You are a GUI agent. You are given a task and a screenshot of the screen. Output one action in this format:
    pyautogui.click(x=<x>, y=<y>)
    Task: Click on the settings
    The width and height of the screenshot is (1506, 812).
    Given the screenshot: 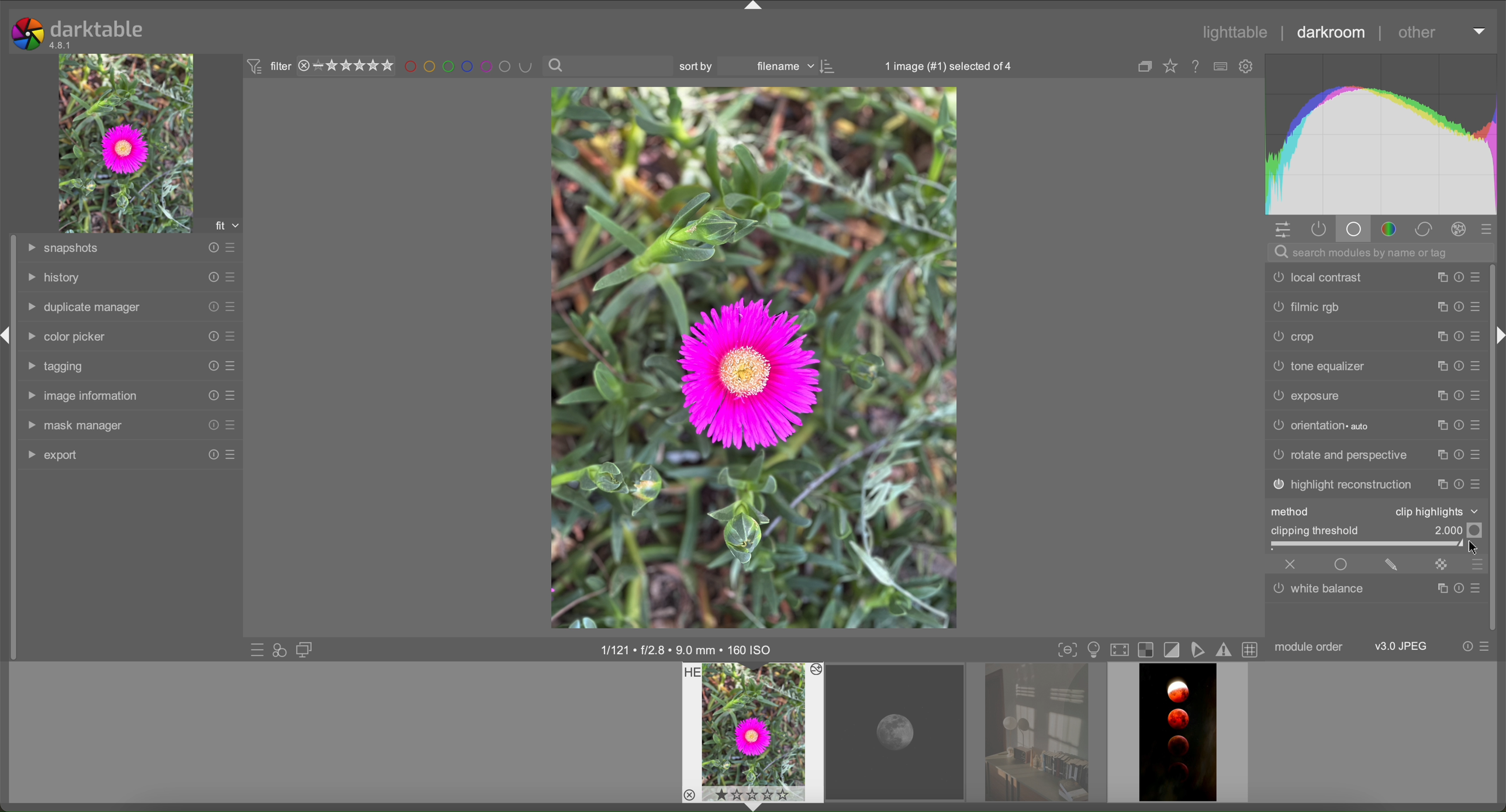 What is the action you would take?
    pyautogui.click(x=1246, y=67)
    